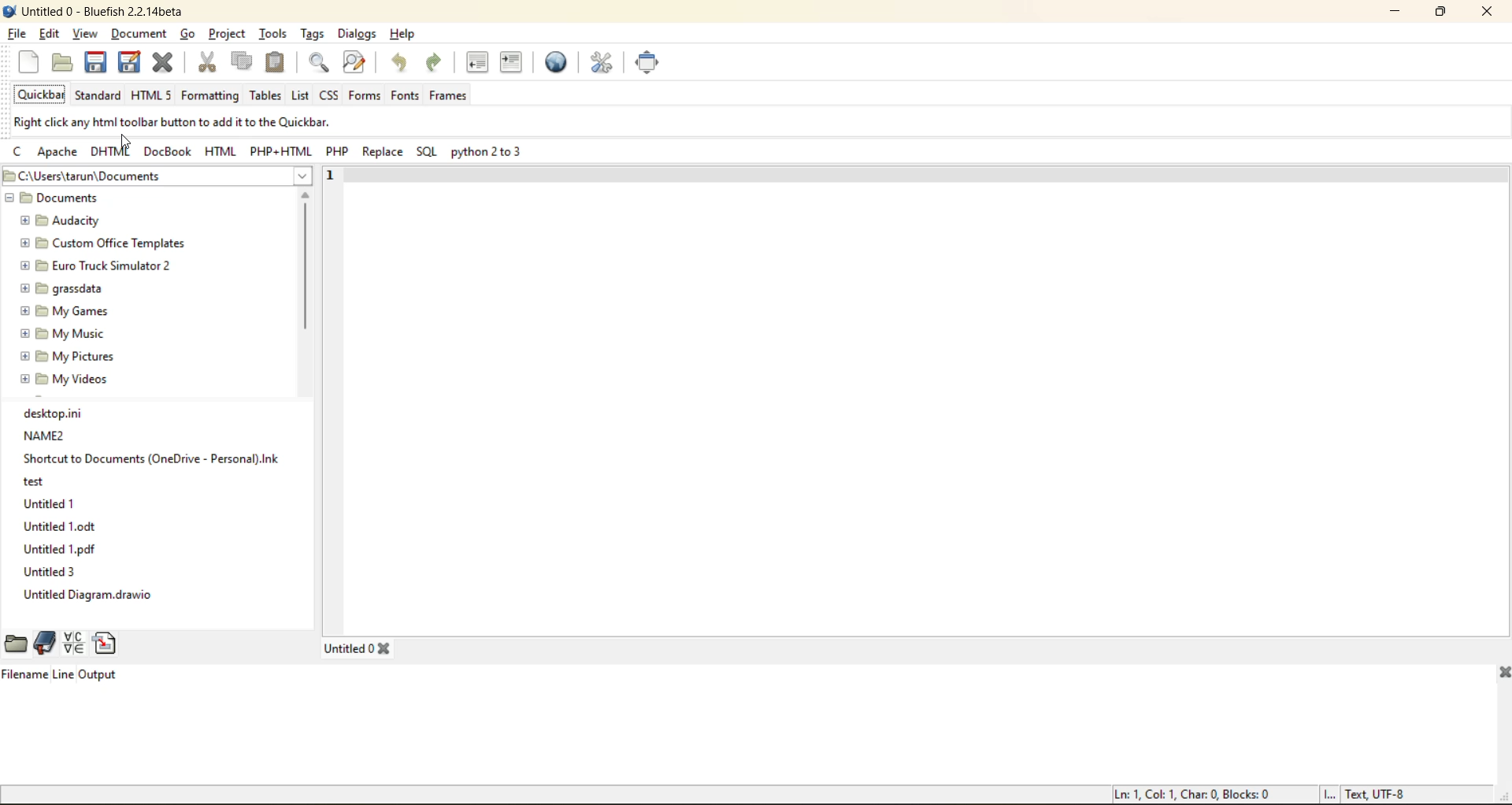 This screenshot has height=805, width=1512. Describe the element at coordinates (301, 183) in the screenshot. I see `show more` at that location.